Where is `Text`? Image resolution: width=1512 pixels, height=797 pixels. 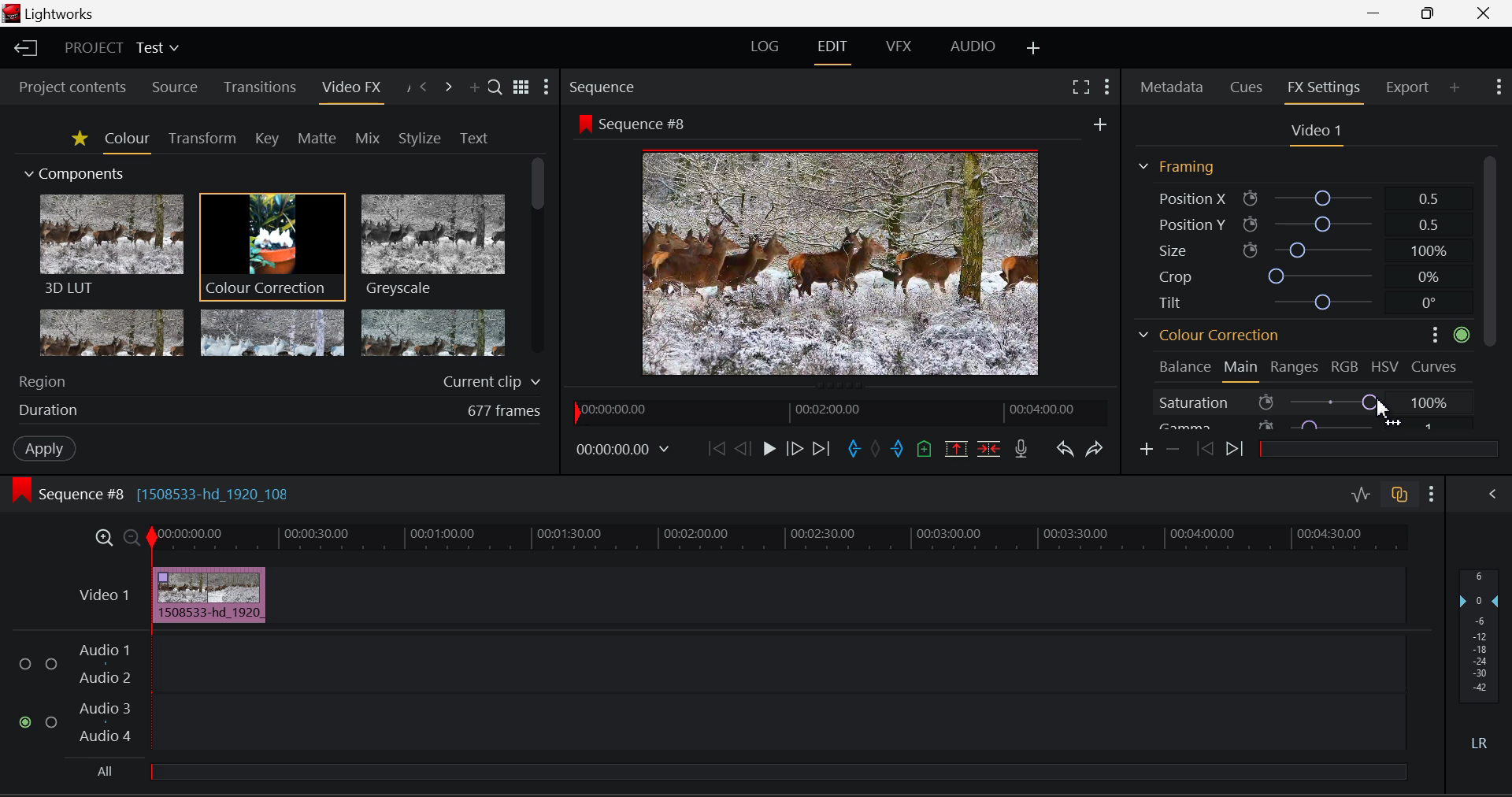
Text is located at coordinates (474, 138).